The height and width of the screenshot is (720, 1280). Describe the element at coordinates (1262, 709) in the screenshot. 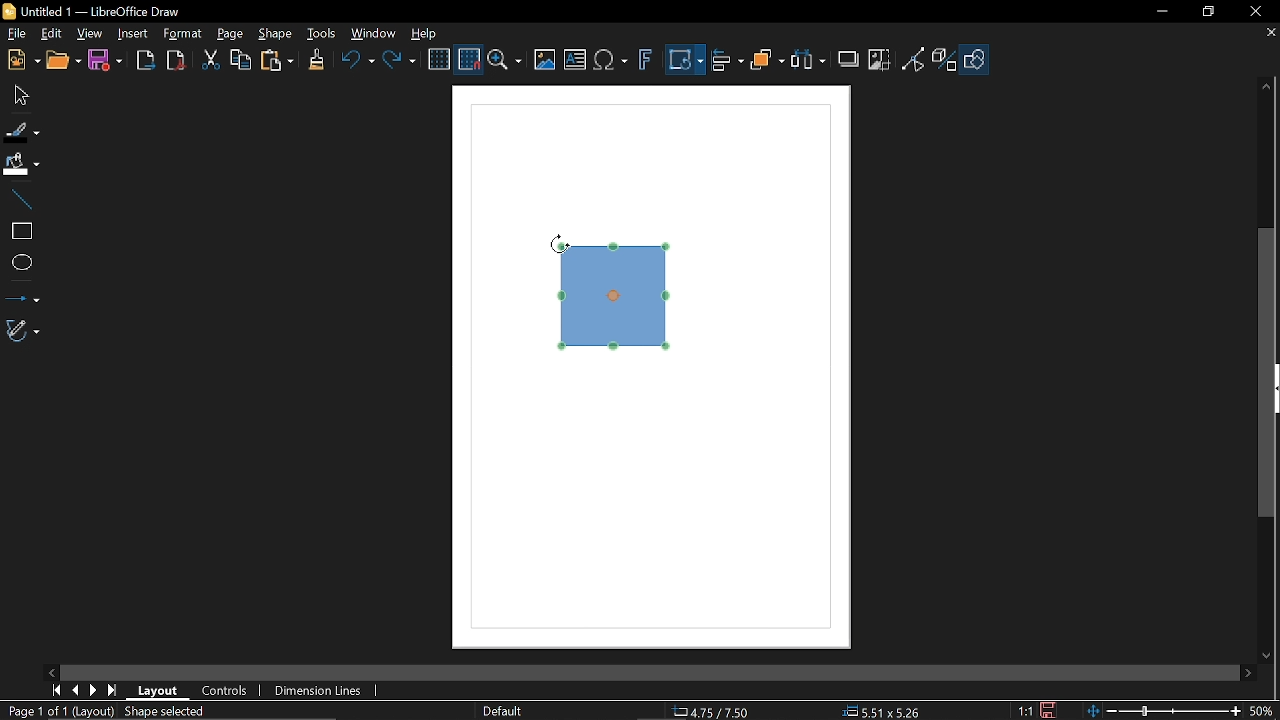

I see `50% (Current zoom)` at that location.